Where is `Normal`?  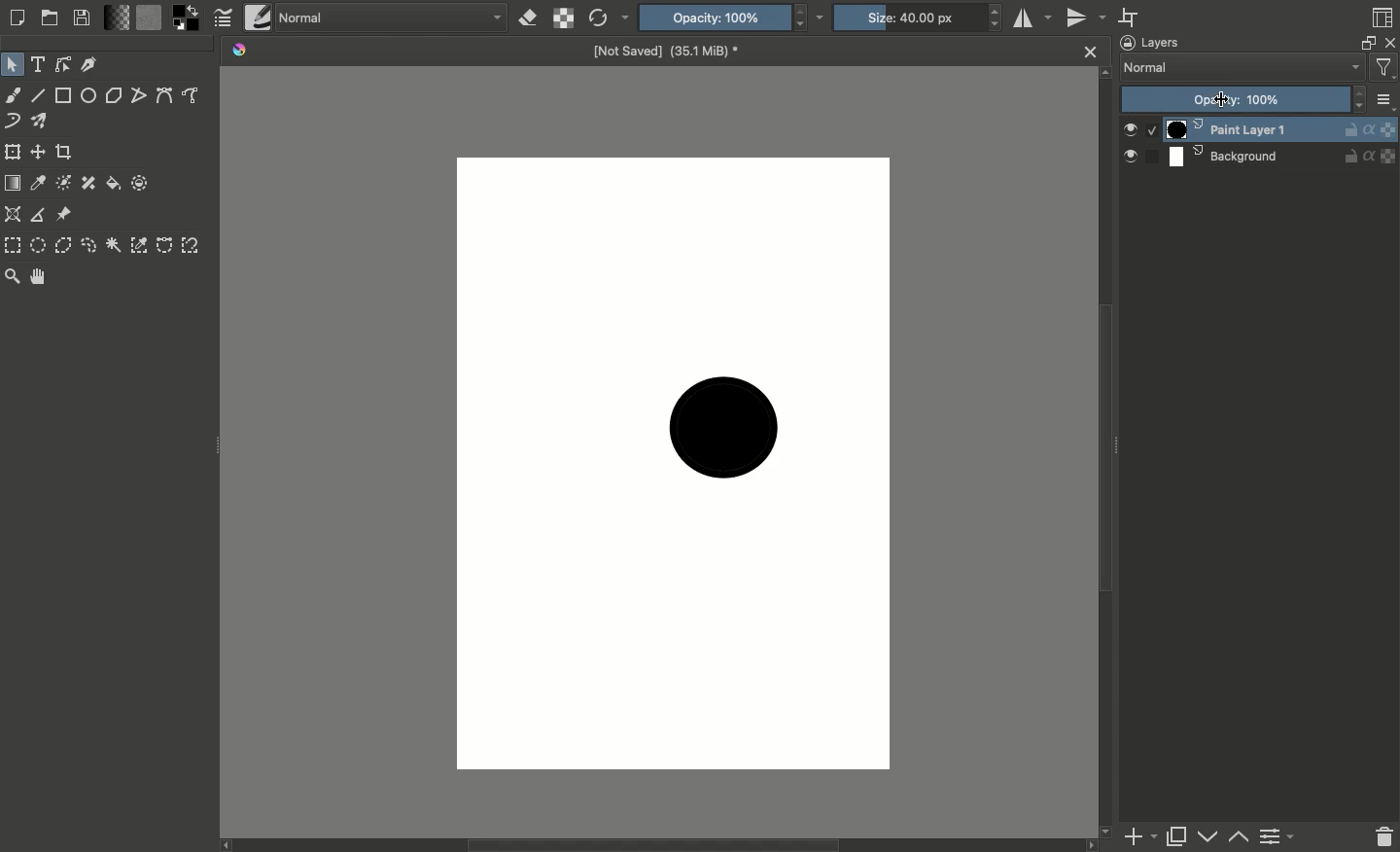
Normal is located at coordinates (389, 19).